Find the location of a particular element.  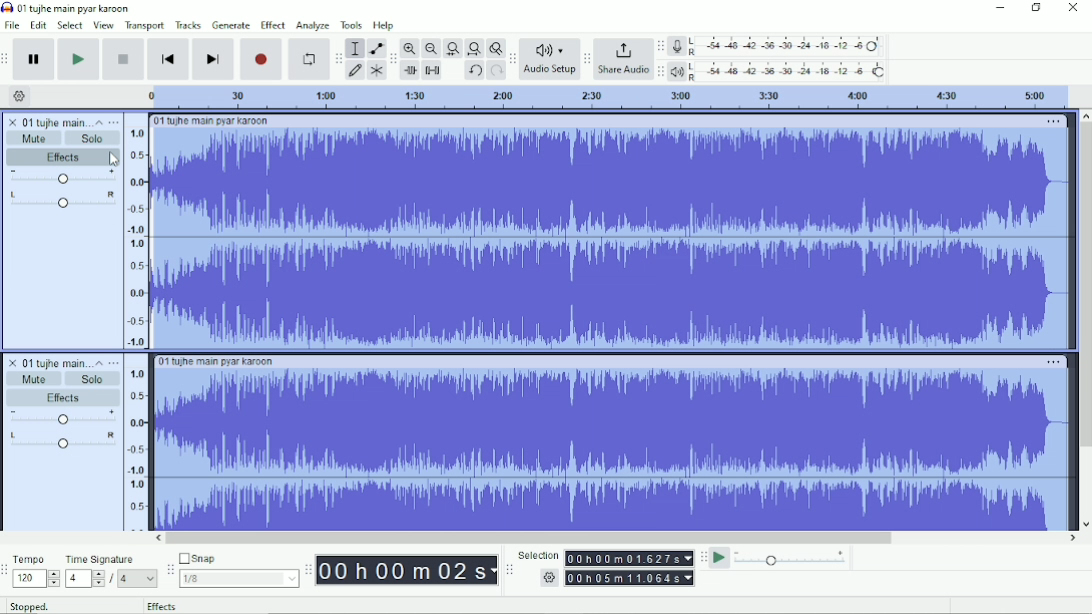

Effects is located at coordinates (62, 159).